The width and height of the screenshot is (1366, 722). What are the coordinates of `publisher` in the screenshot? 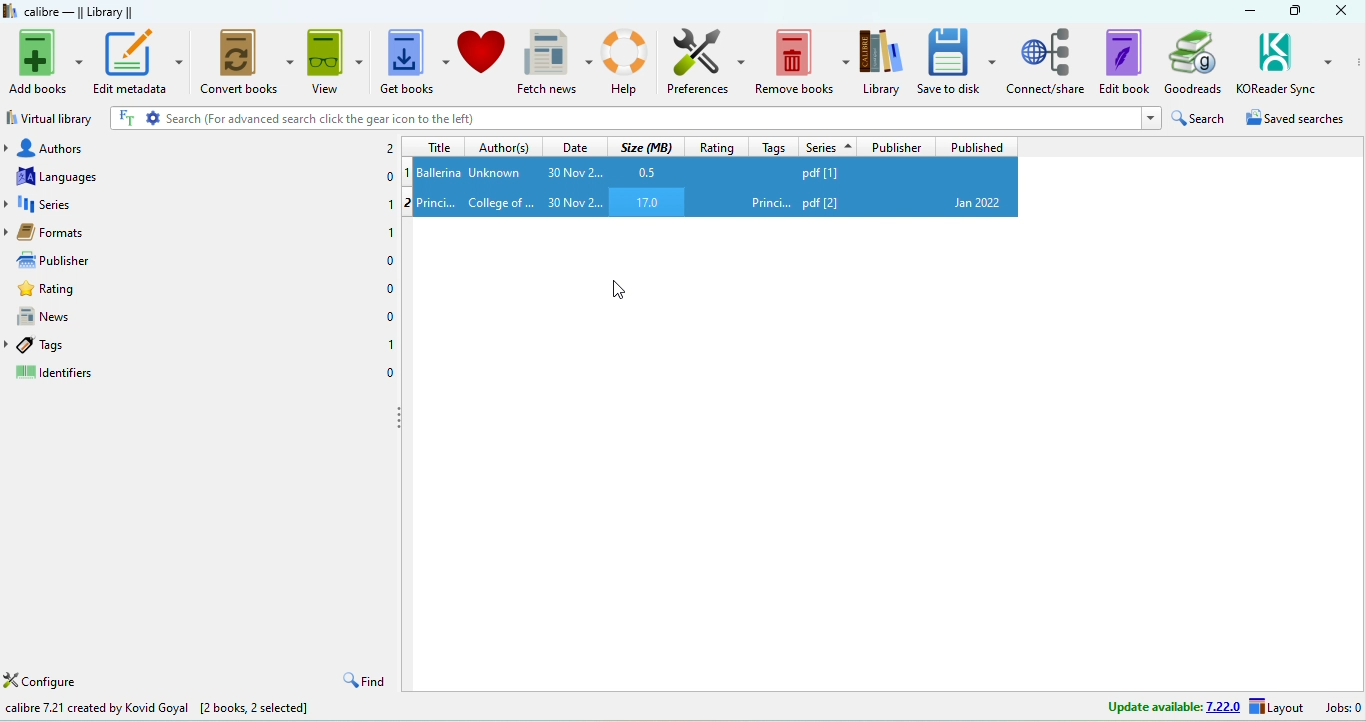 It's located at (898, 147).